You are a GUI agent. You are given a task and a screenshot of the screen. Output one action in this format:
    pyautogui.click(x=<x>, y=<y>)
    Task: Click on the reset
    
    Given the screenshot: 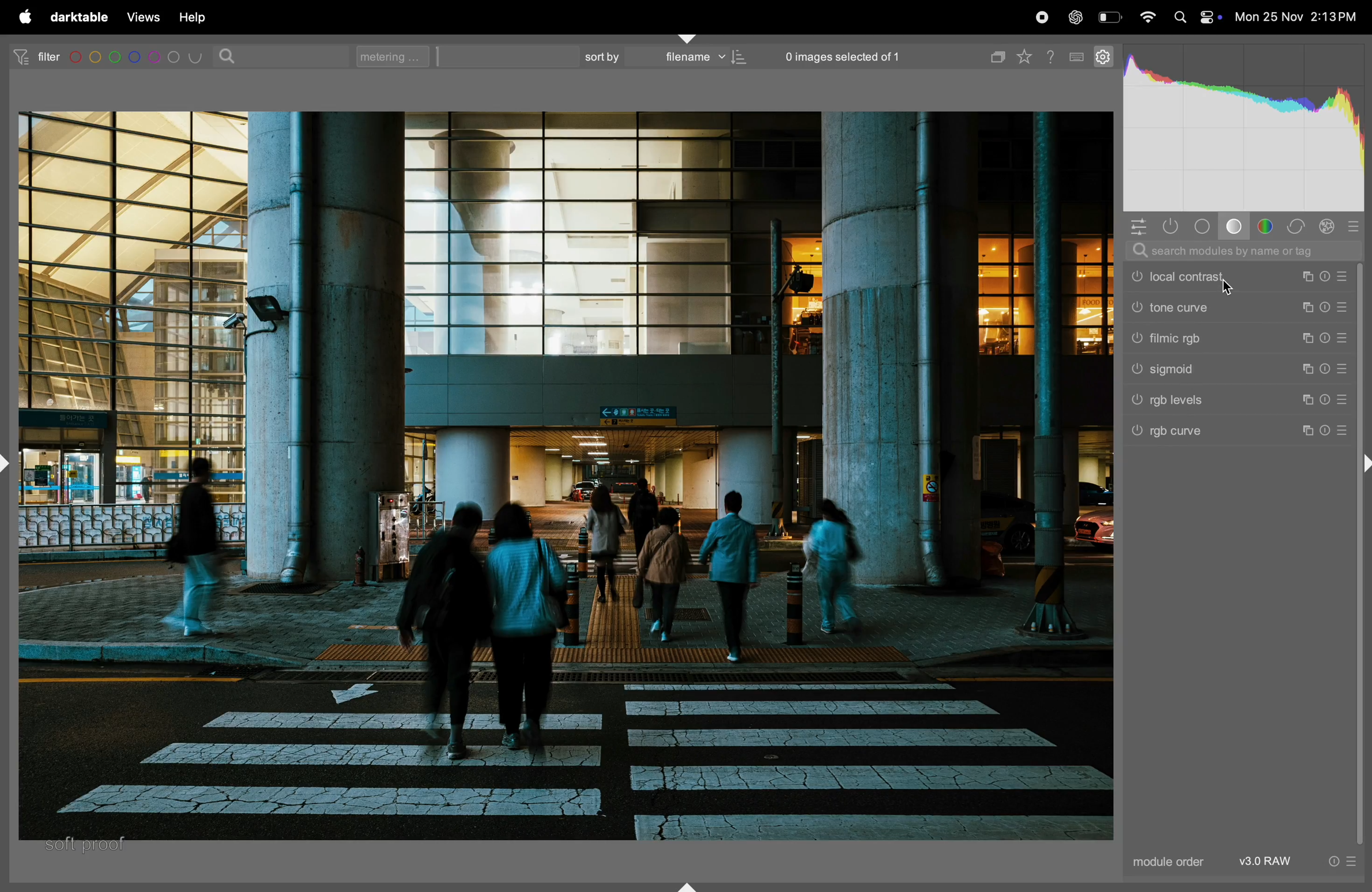 What is the action you would take?
    pyautogui.click(x=1326, y=432)
    